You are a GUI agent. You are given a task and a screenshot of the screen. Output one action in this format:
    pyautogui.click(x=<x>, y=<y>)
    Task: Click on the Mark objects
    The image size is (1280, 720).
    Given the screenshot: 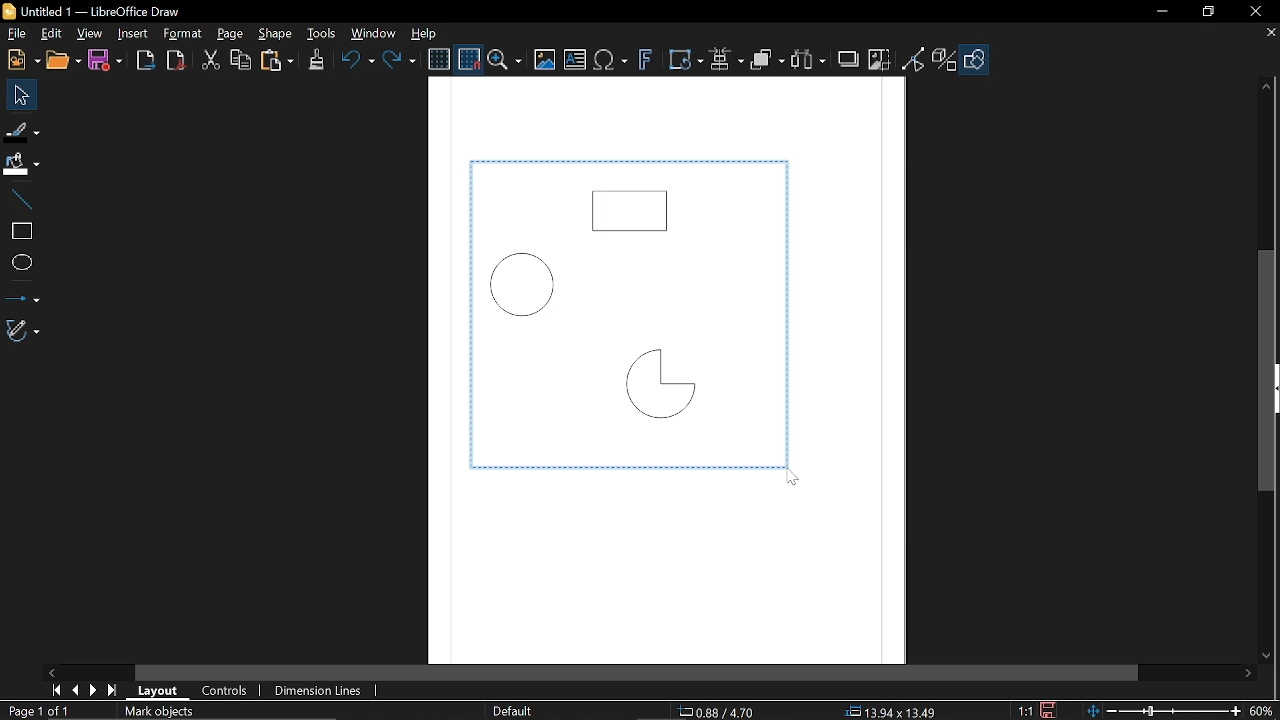 What is the action you would take?
    pyautogui.click(x=163, y=712)
    